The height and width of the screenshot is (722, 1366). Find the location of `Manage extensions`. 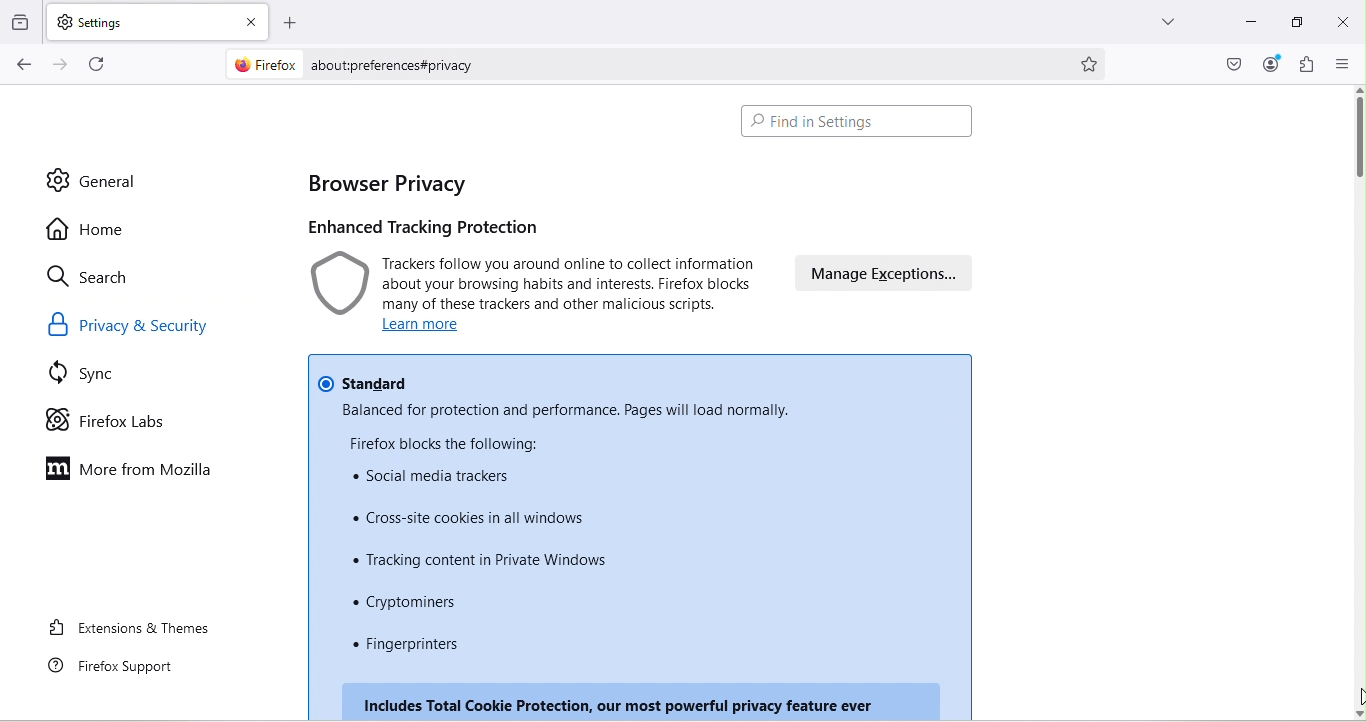

Manage extensions is located at coordinates (879, 277).